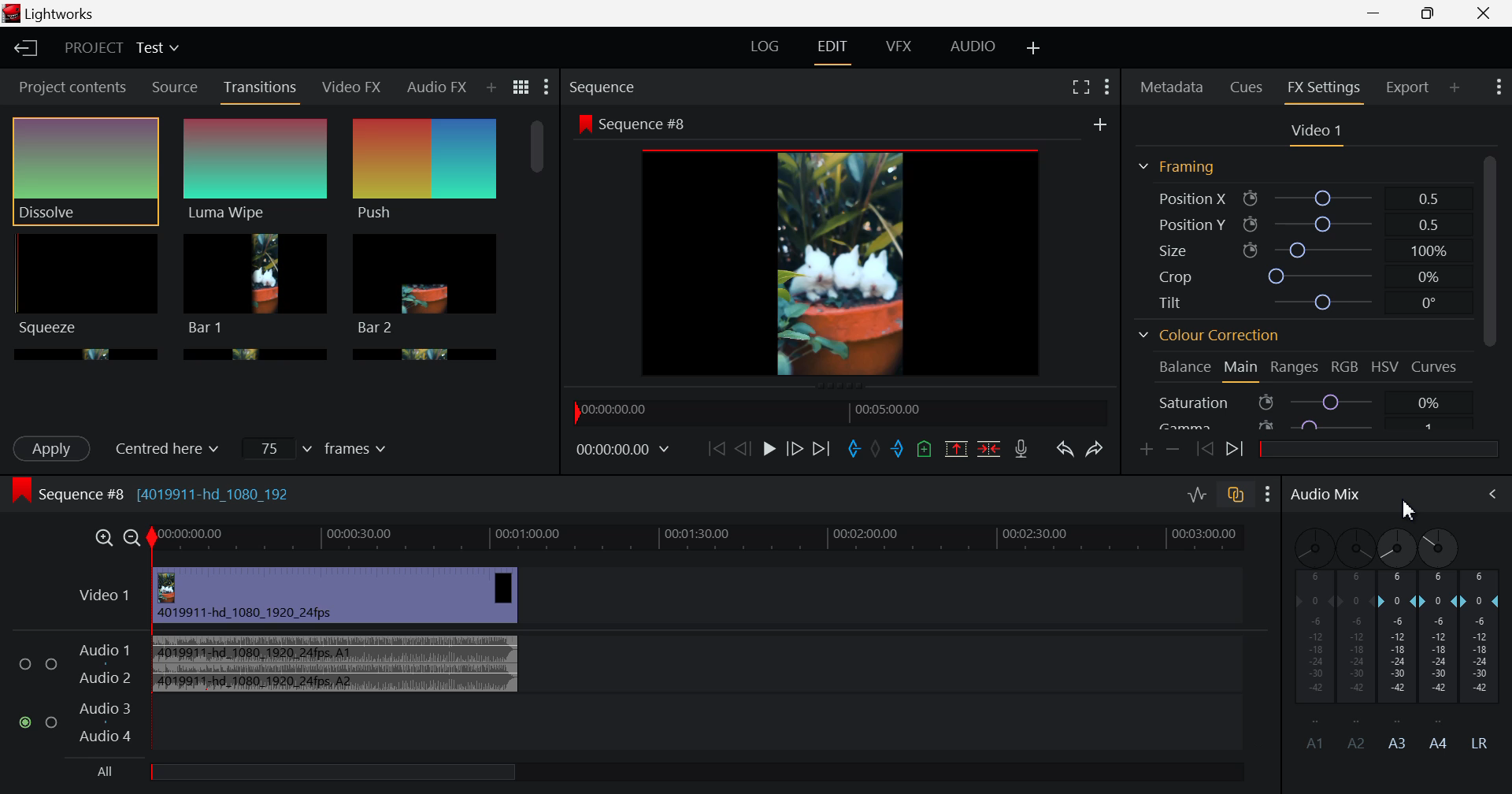 Image resolution: width=1512 pixels, height=794 pixels. I want to click on Scroll Bar, so click(1493, 291).